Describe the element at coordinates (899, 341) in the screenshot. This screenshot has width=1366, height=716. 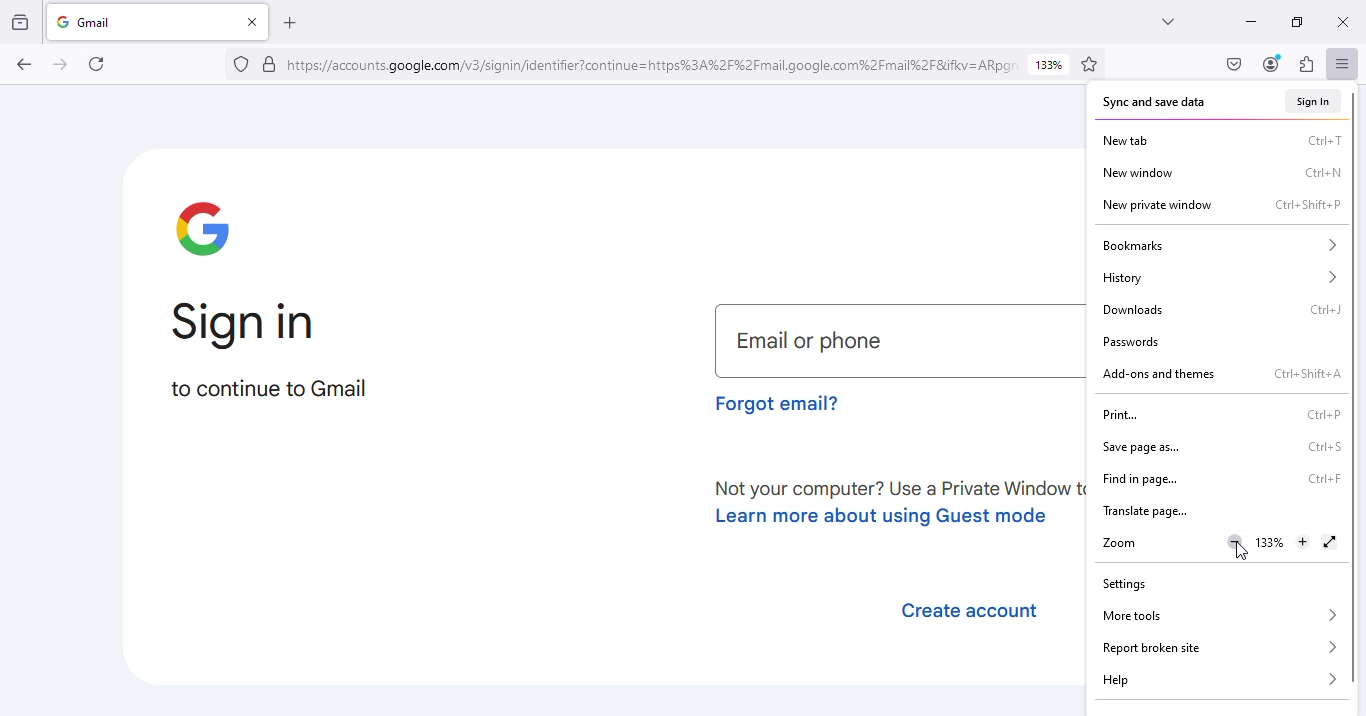
I see `email or phone` at that location.